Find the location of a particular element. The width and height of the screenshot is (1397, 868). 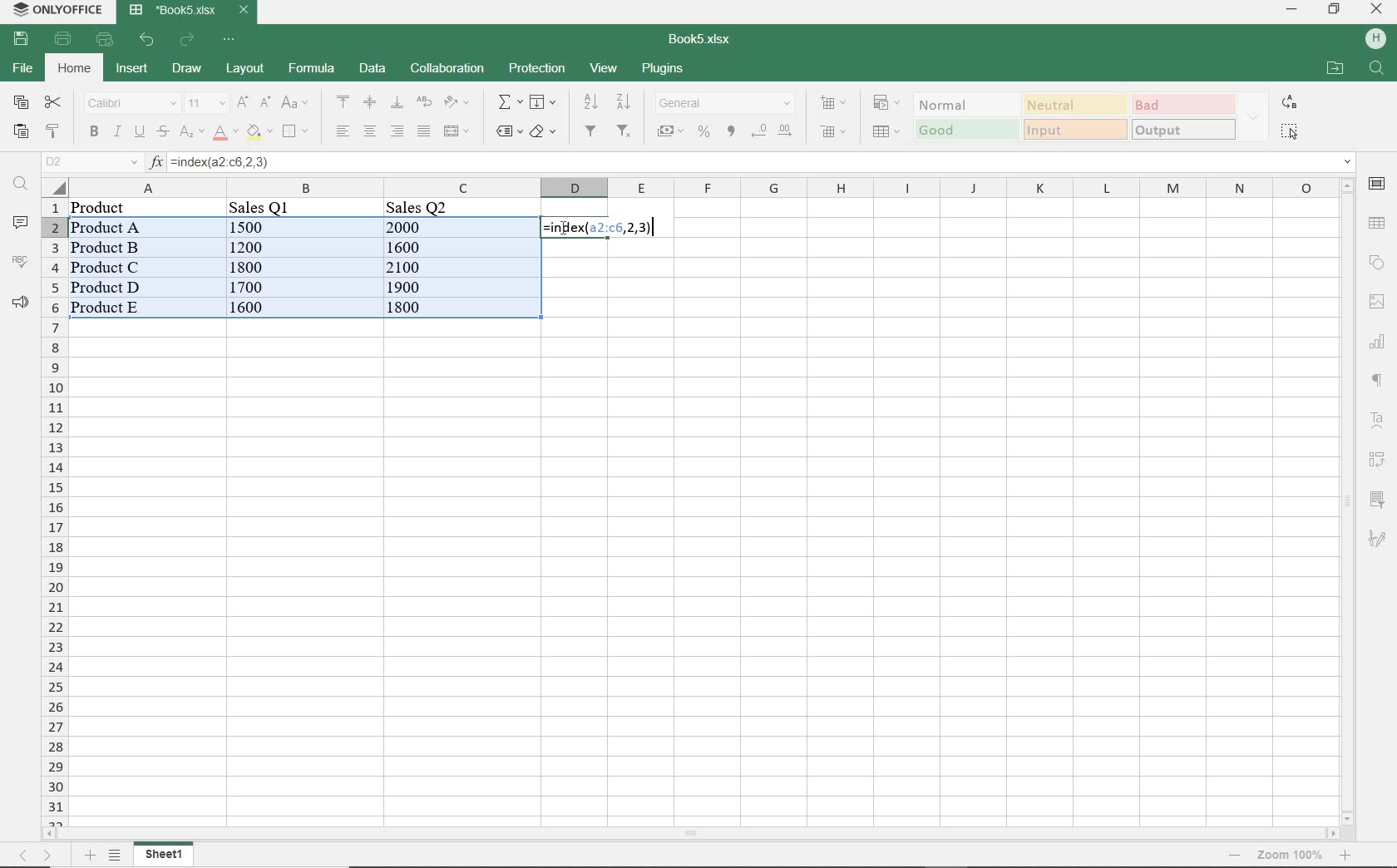

input functions is located at coordinates (157, 164).